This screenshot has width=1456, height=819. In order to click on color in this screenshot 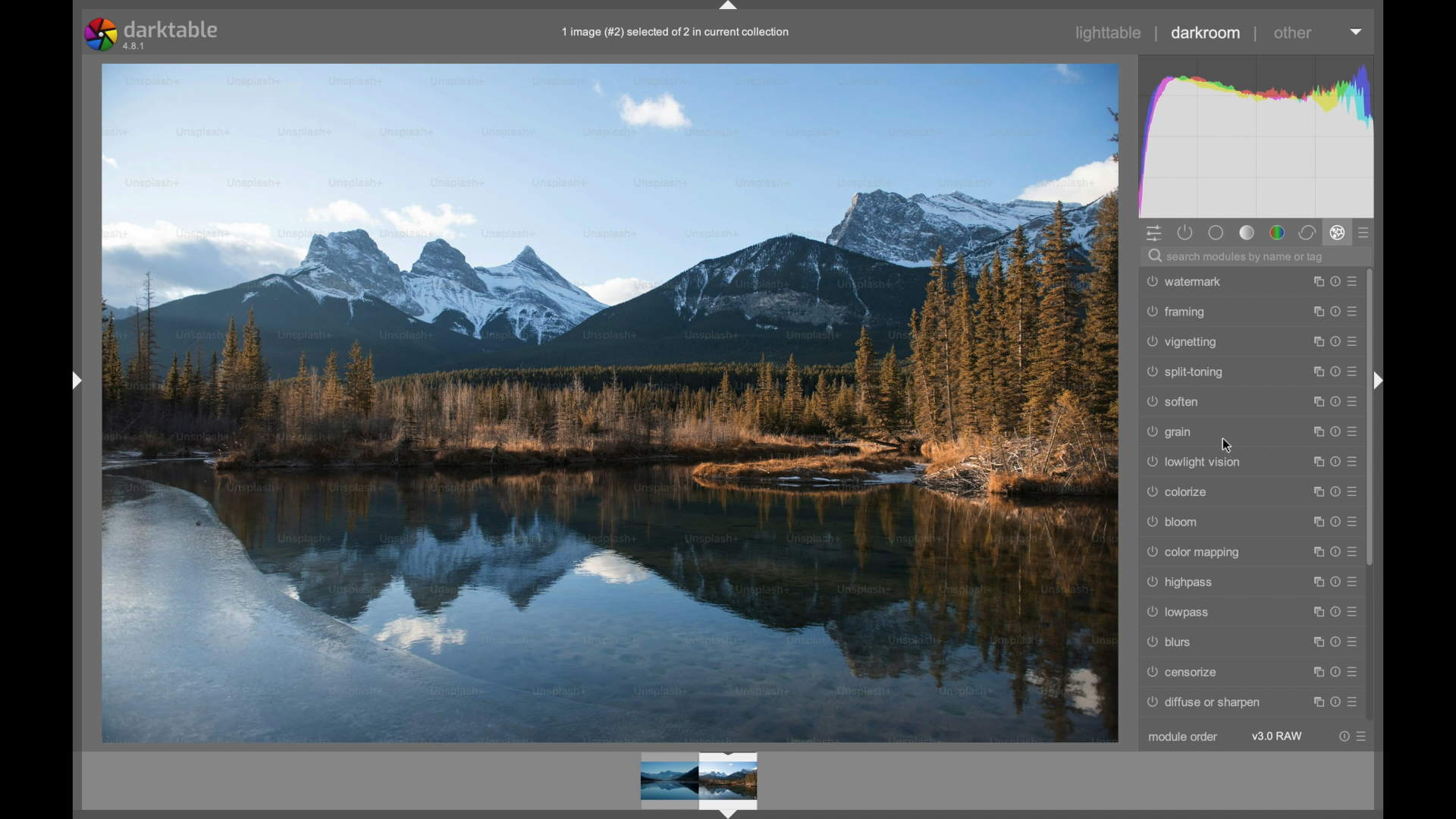, I will do `click(1277, 233)`.